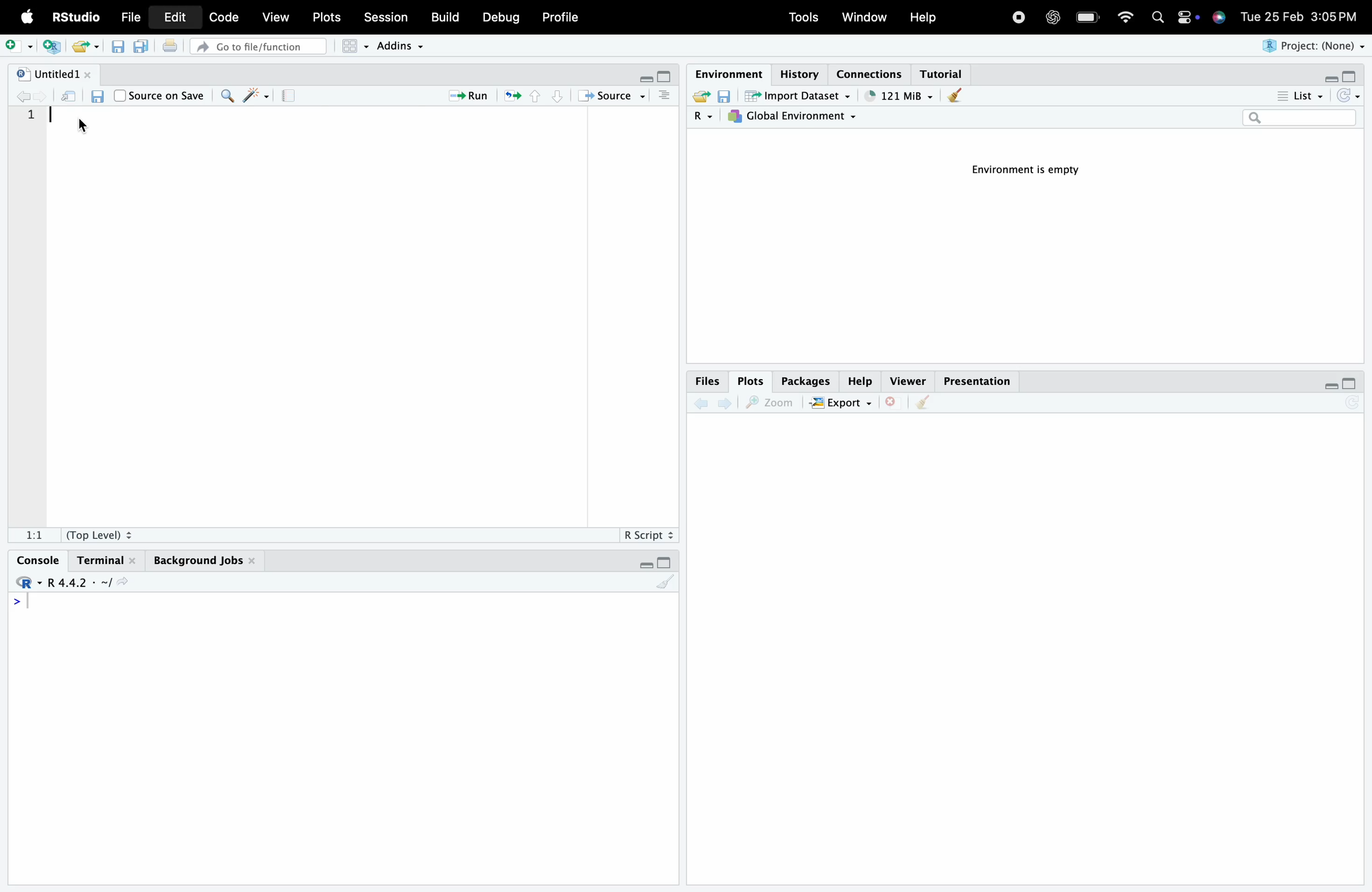 This screenshot has height=892, width=1372. I want to click on Zoom, so click(774, 403).